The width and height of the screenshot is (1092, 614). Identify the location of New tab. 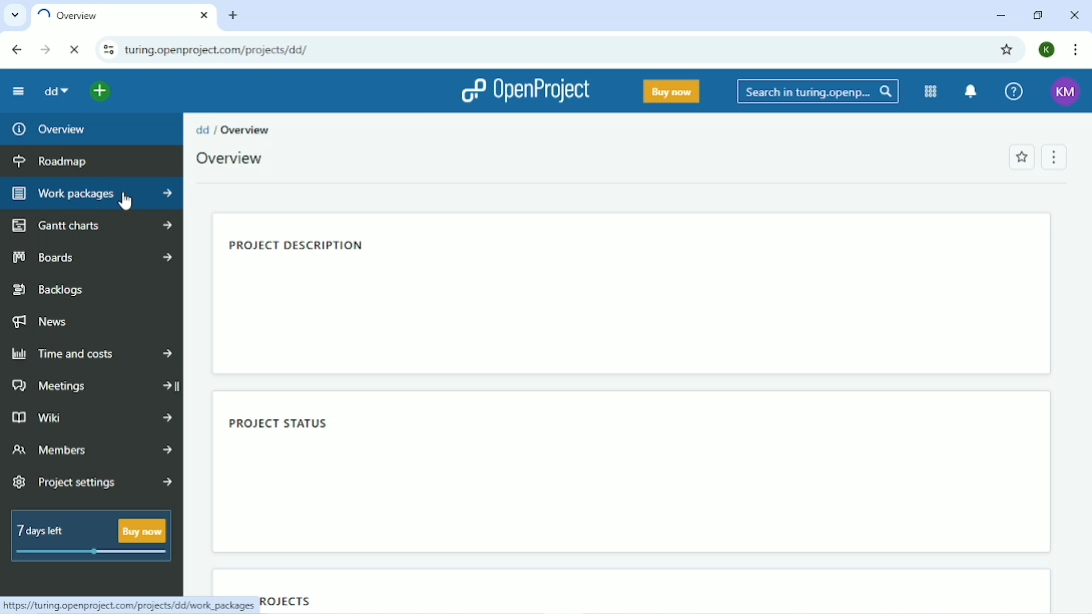
(233, 14).